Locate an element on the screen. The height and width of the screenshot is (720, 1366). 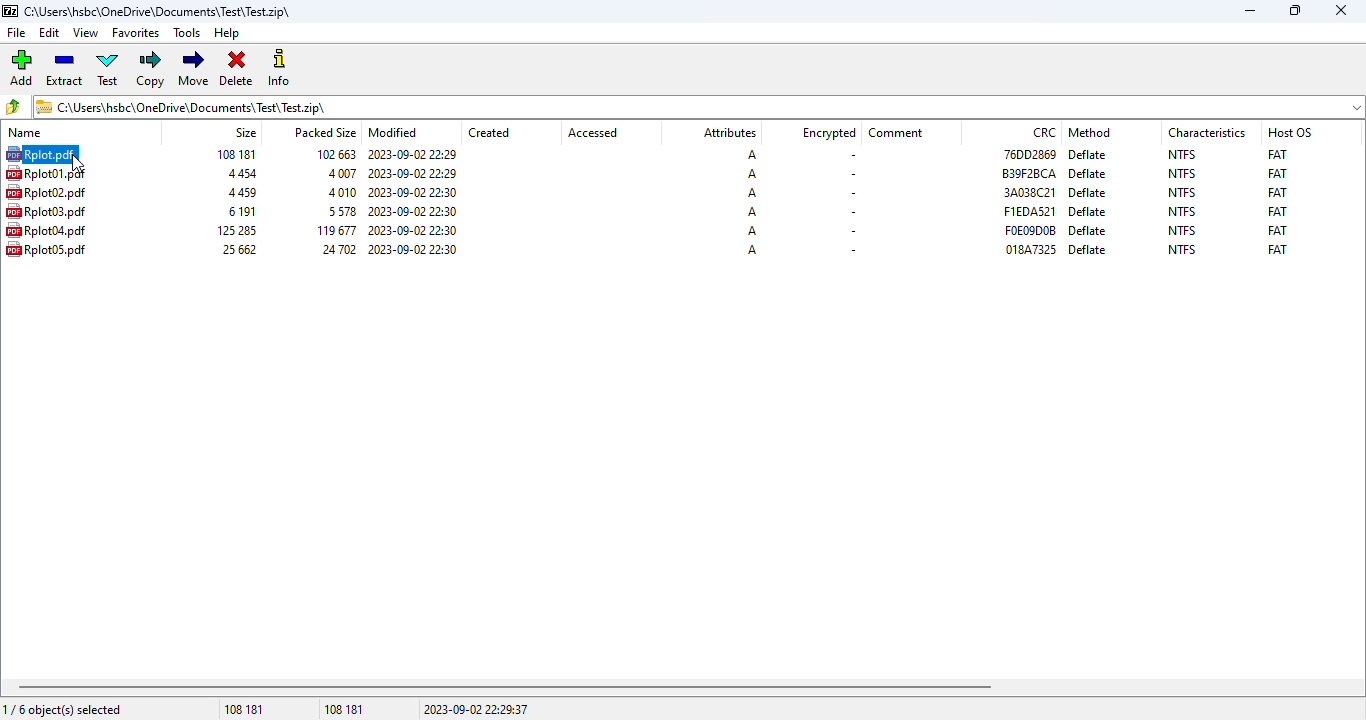
name is located at coordinates (25, 133).